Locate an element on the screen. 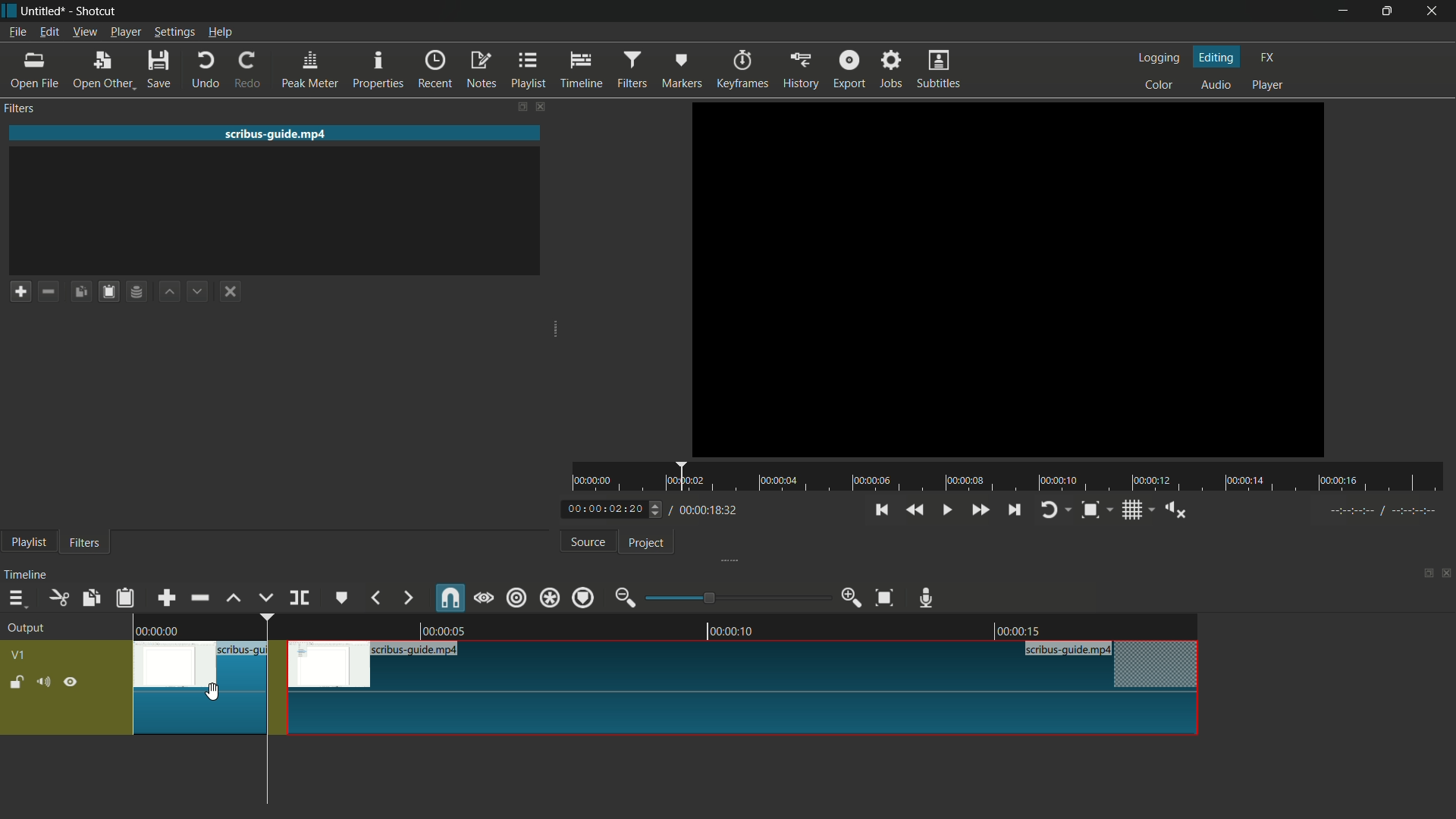 The width and height of the screenshot is (1456, 819). markers is located at coordinates (681, 71).